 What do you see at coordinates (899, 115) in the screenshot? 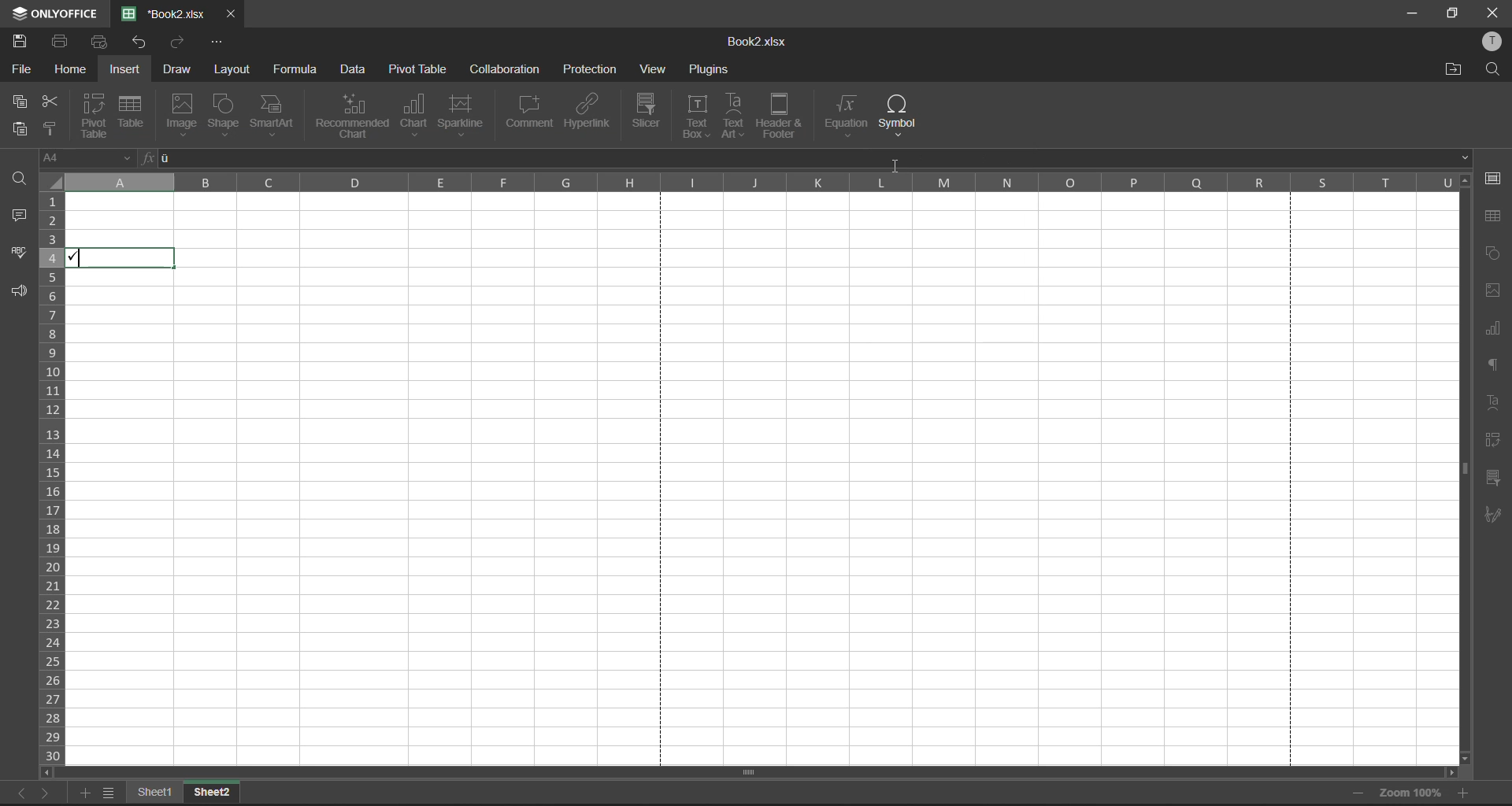
I see `symbol` at bounding box center [899, 115].